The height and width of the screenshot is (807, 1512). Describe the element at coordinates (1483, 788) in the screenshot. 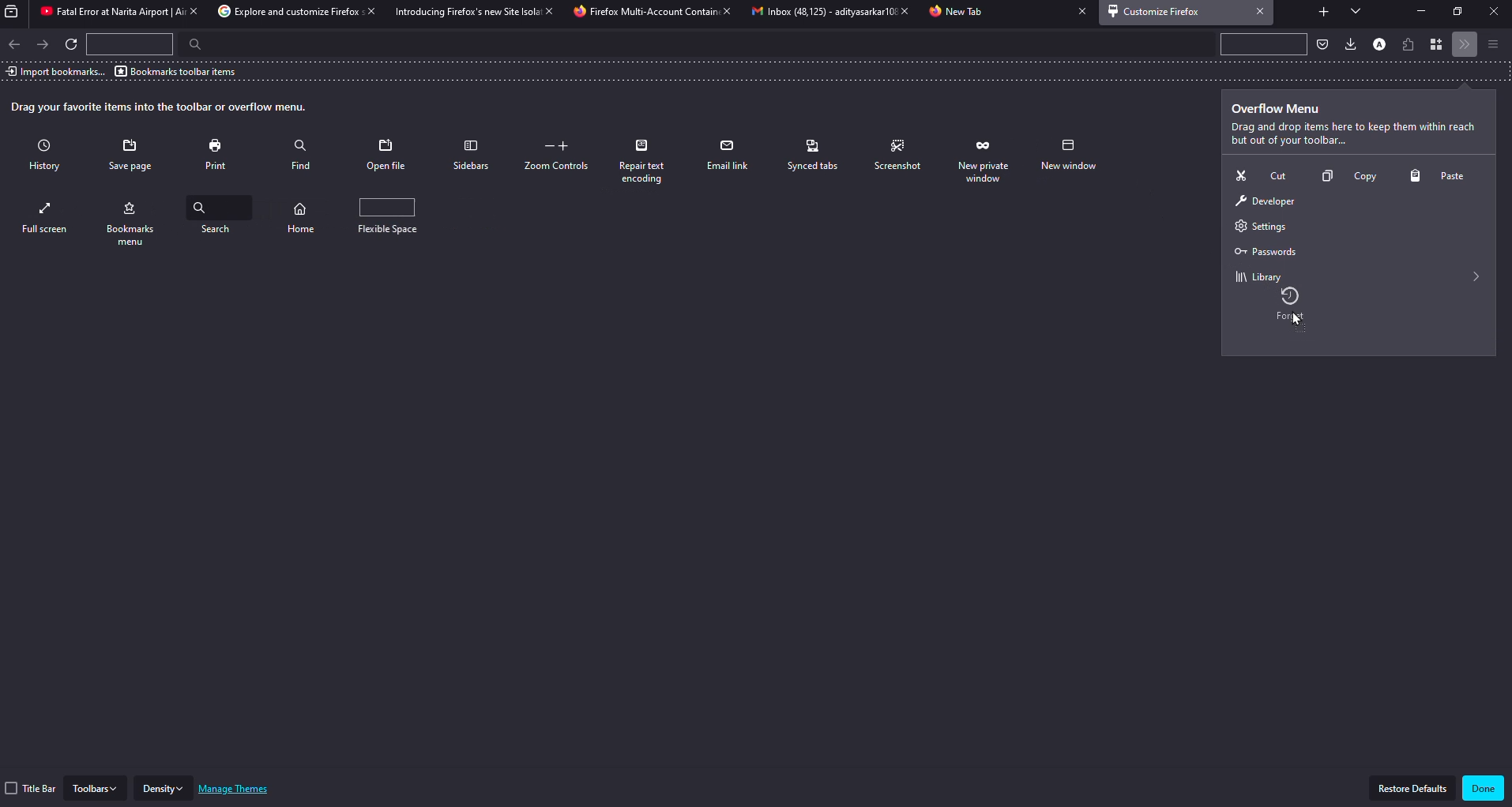

I see `done` at that location.